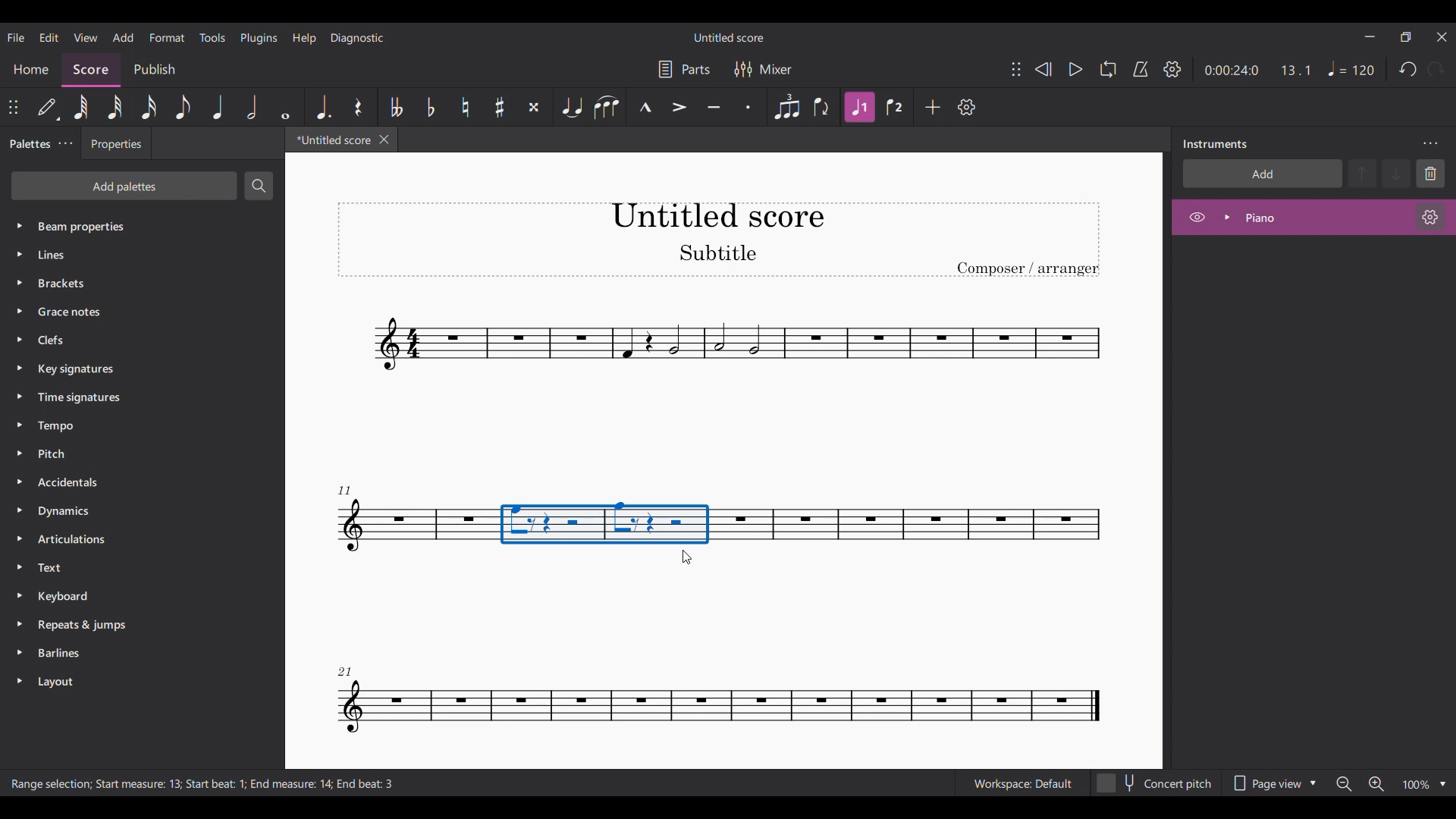 Image resolution: width=1456 pixels, height=819 pixels. Describe the element at coordinates (124, 37) in the screenshot. I see `Add menu` at that location.